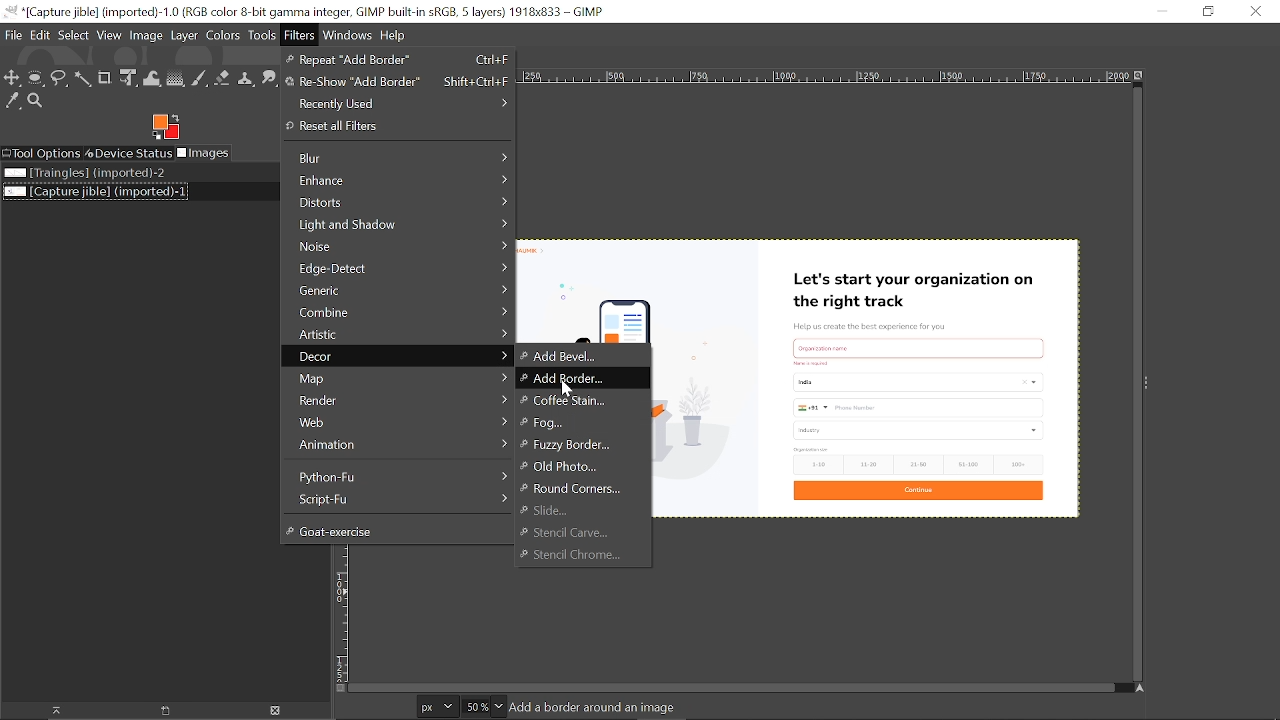 The width and height of the screenshot is (1280, 720). Describe the element at coordinates (396, 400) in the screenshot. I see `Render` at that location.